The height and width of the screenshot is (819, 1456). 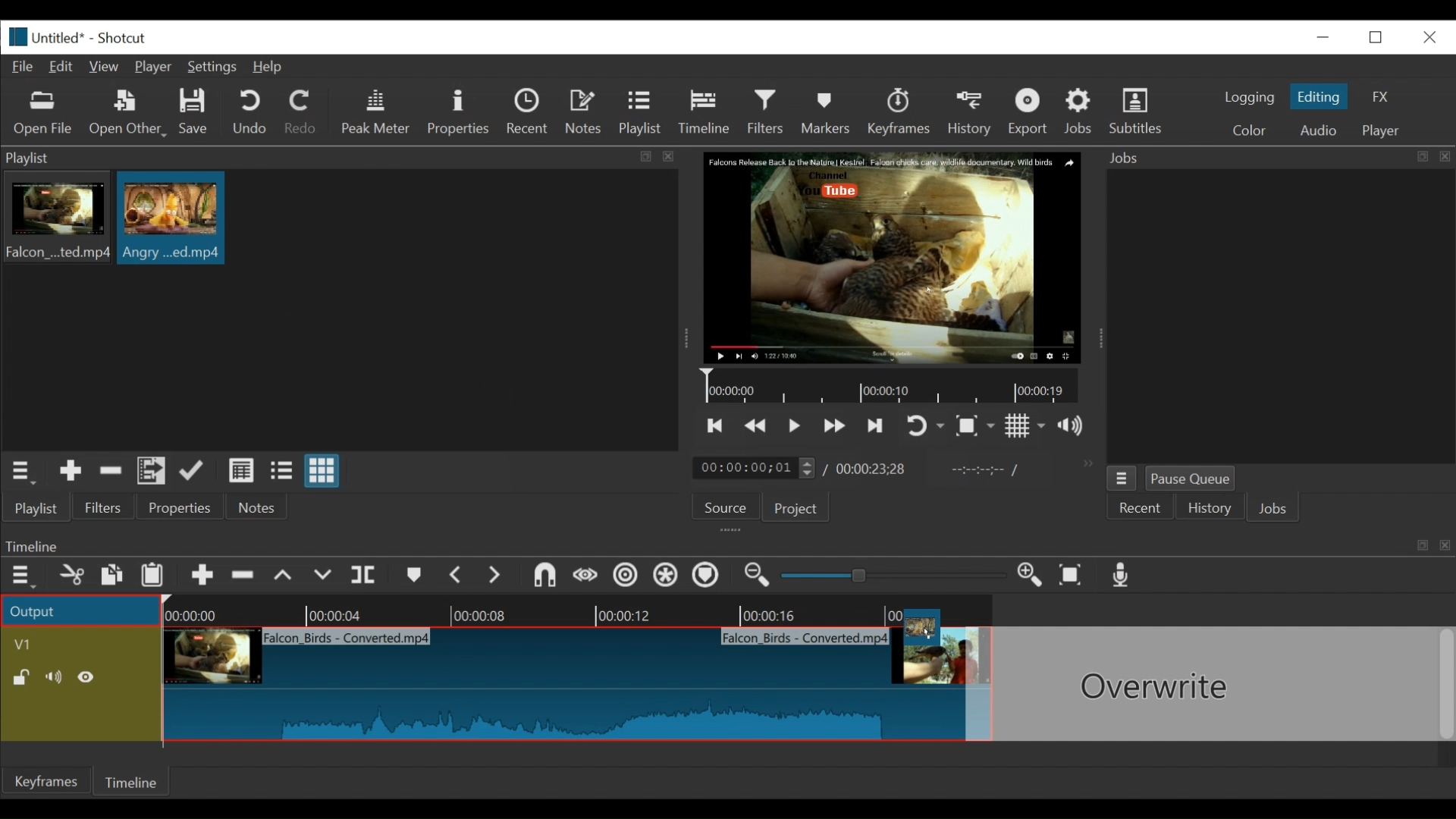 I want to click on overwrite, so click(x=325, y=576).